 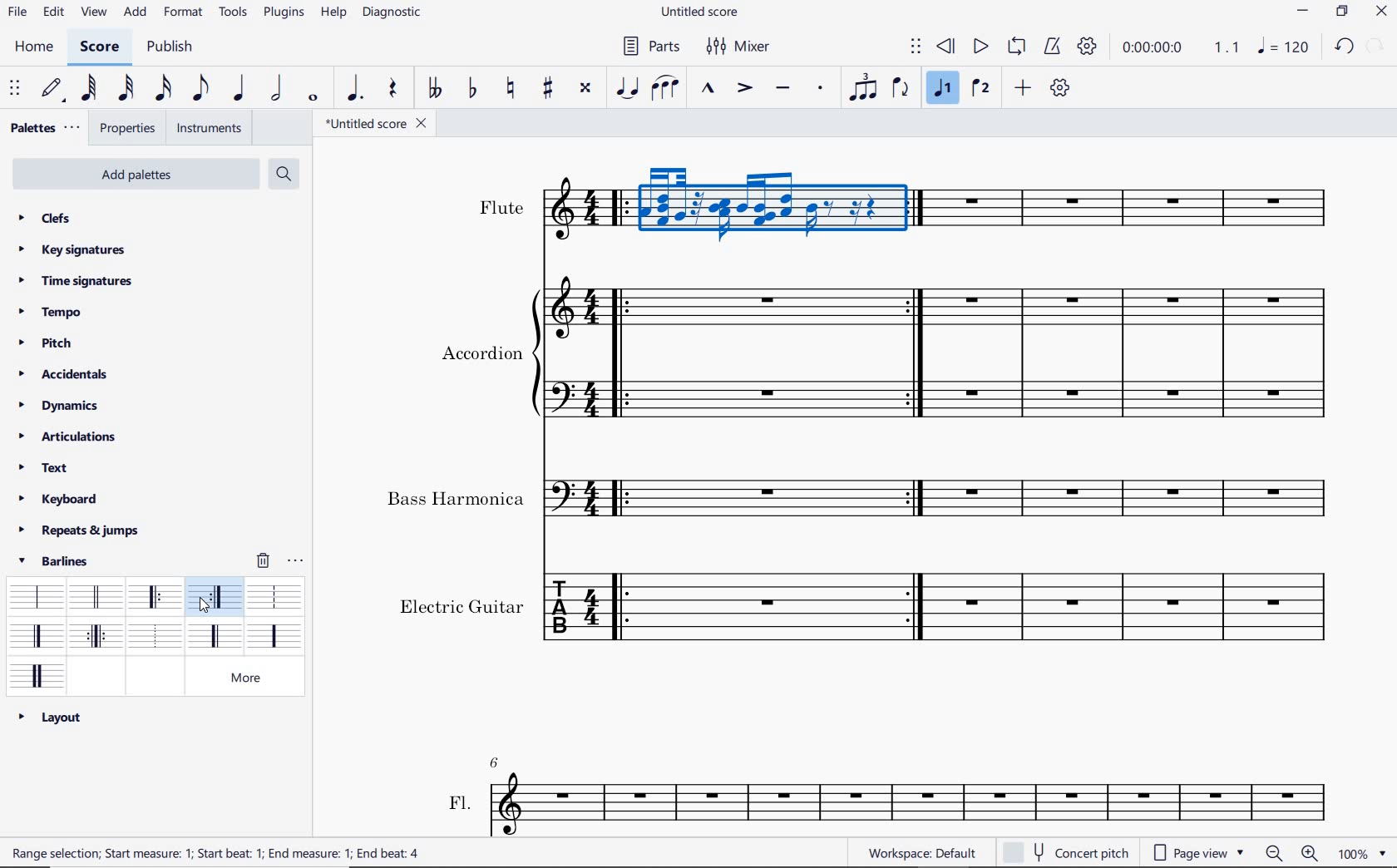 I want to click on right (end) repeat sign, so click(x=217, y=599).